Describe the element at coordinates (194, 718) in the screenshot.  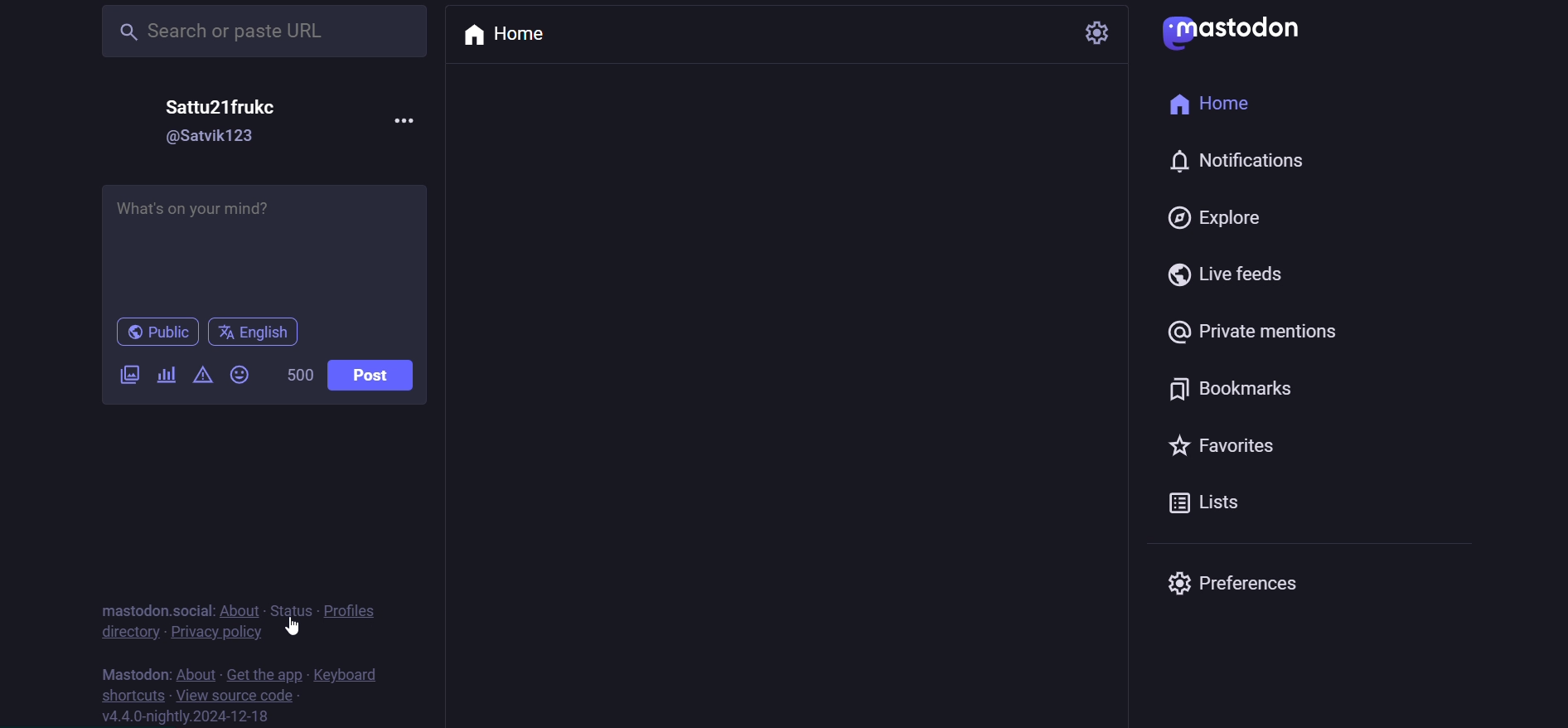
I see `version` at that location.